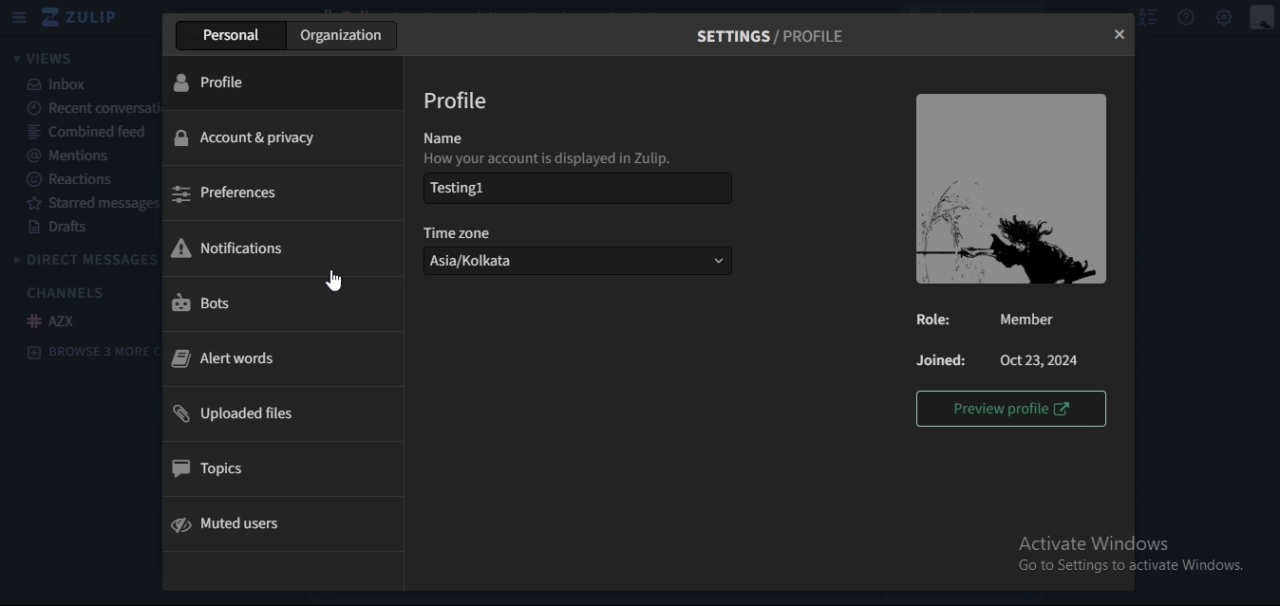  I want to click on Member, so click(1026, 316).